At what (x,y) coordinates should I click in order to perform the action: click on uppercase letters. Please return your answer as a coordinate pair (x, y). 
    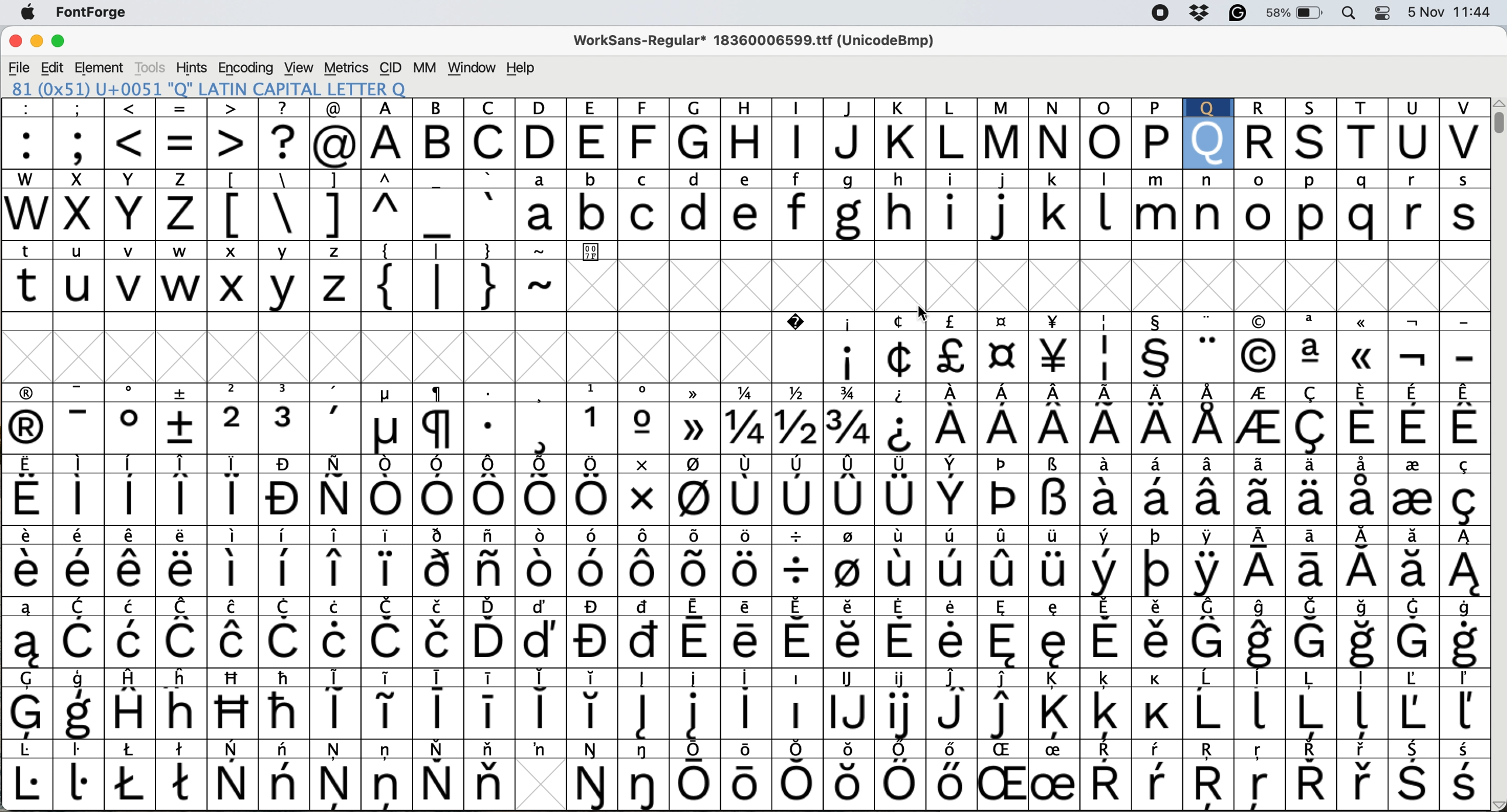
    Looking at the image, I should click on (104, 215).